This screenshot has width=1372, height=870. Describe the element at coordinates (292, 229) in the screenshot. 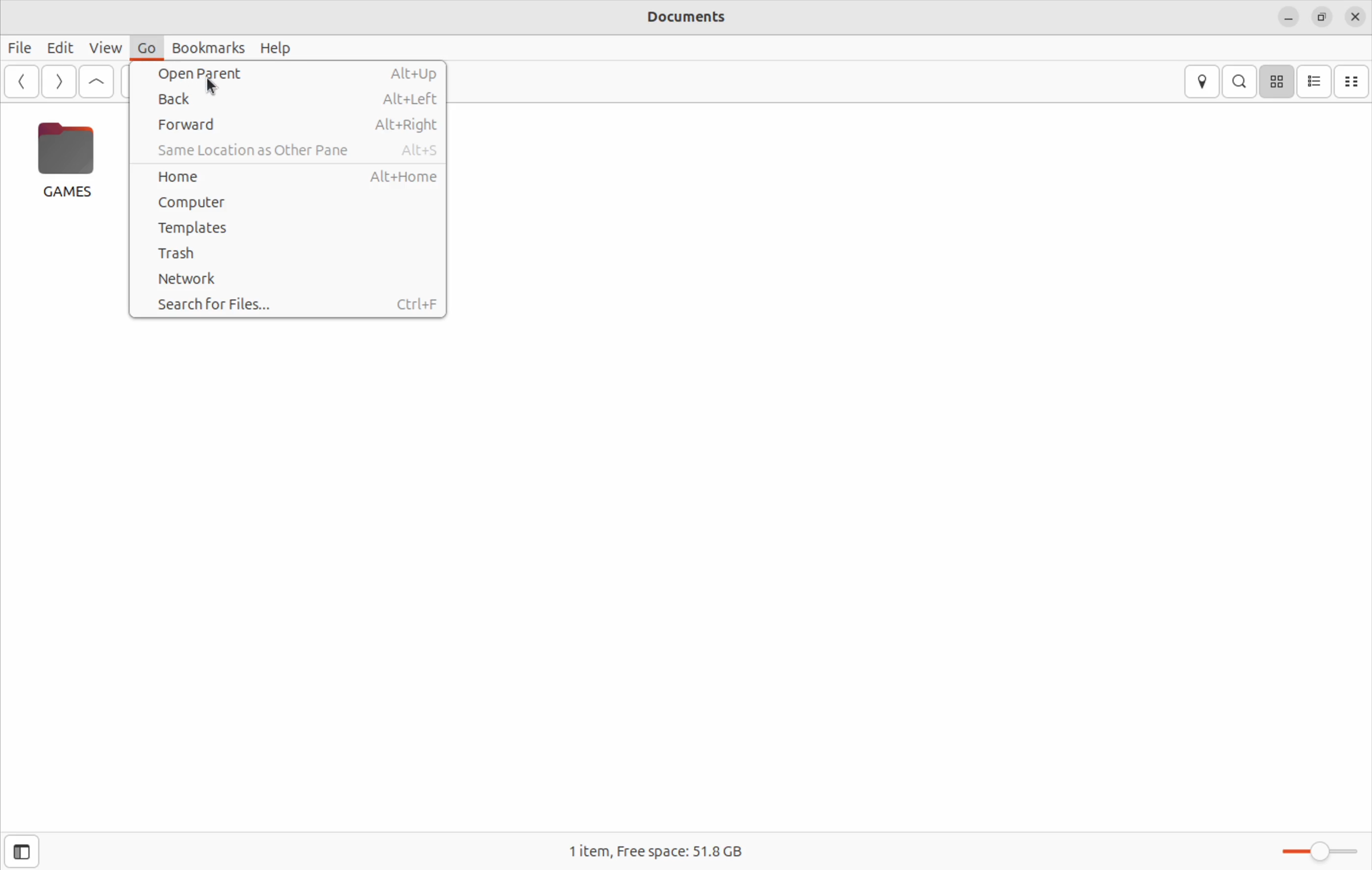

I see `templates` at that location.